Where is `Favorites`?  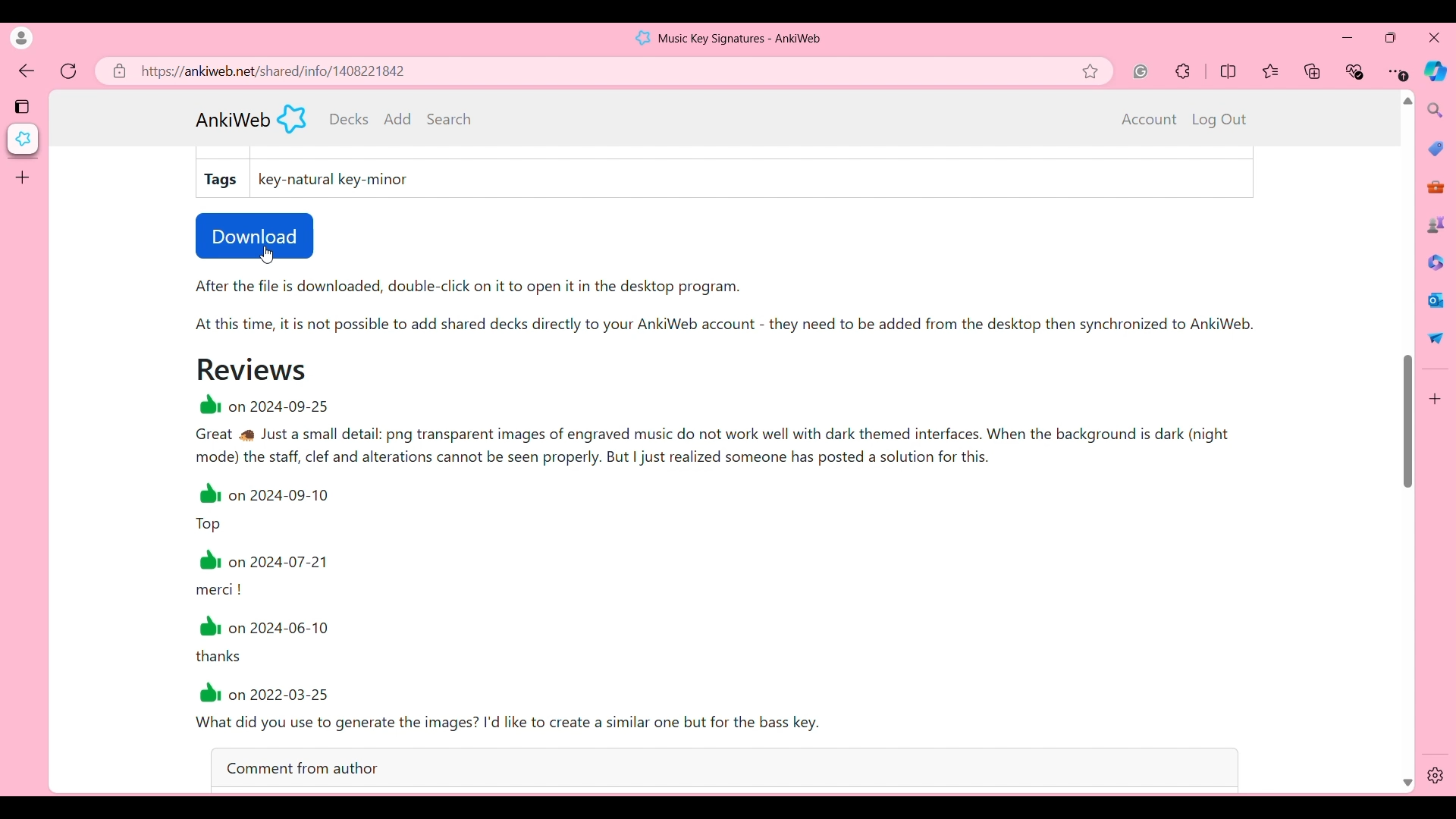 Favorites is located at coordinates (1272, 71).